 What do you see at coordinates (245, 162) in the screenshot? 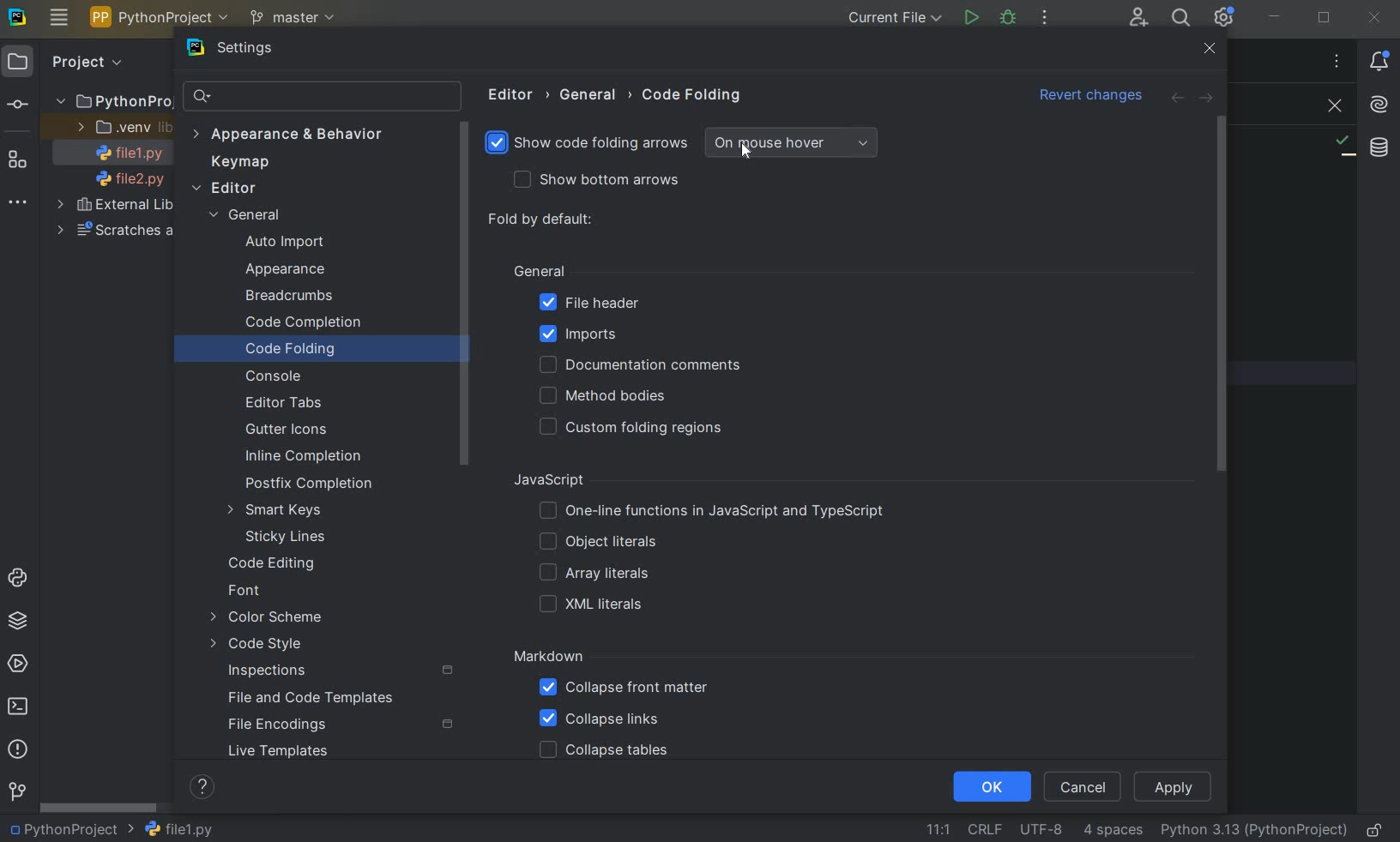
I see `KEYMAP` at bounding box center [245, 162].